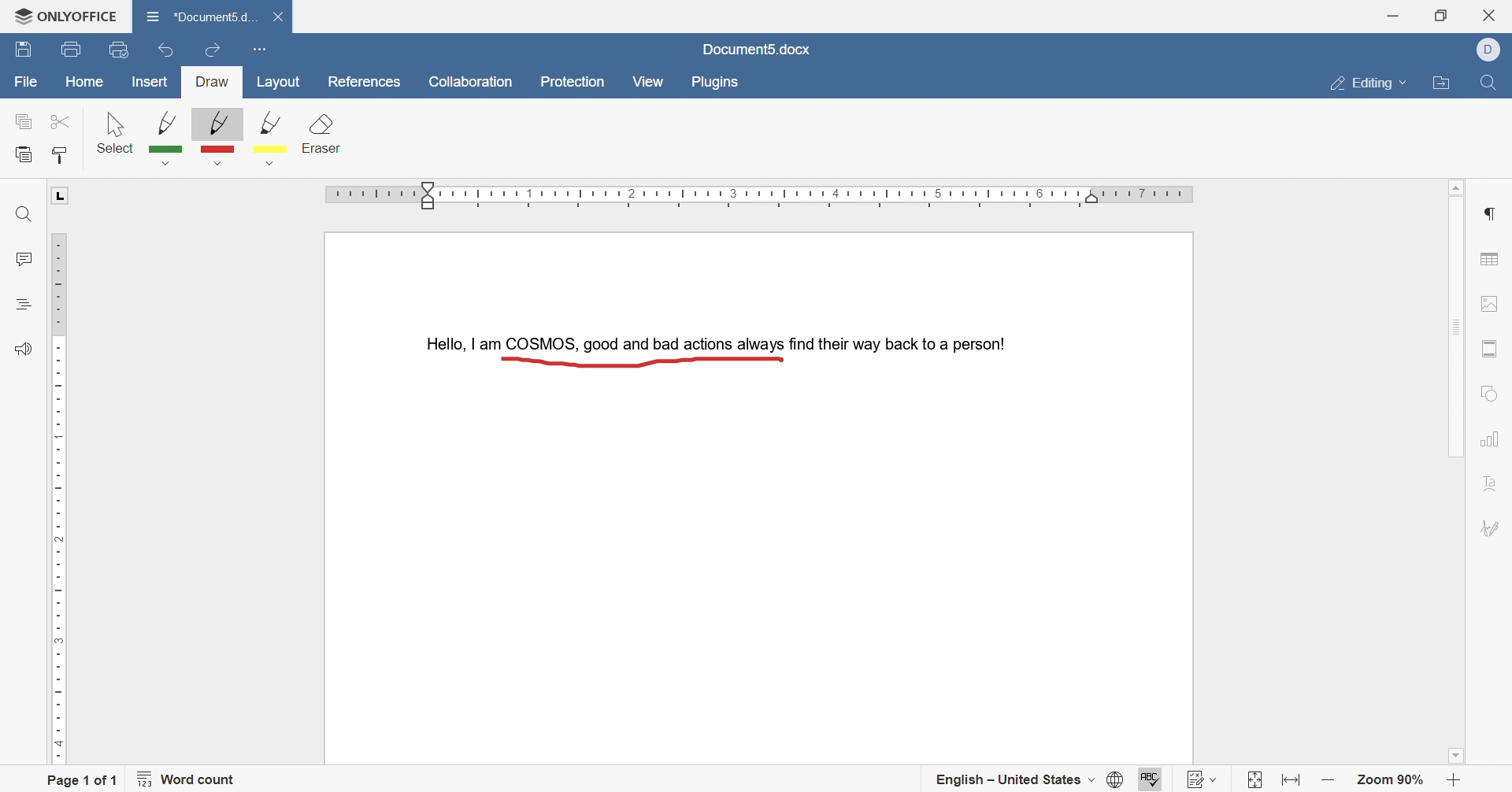 The image size is (1512, 792). Describe the element at coordinates (26, 83) in the screenshot. I see `file` at that location.